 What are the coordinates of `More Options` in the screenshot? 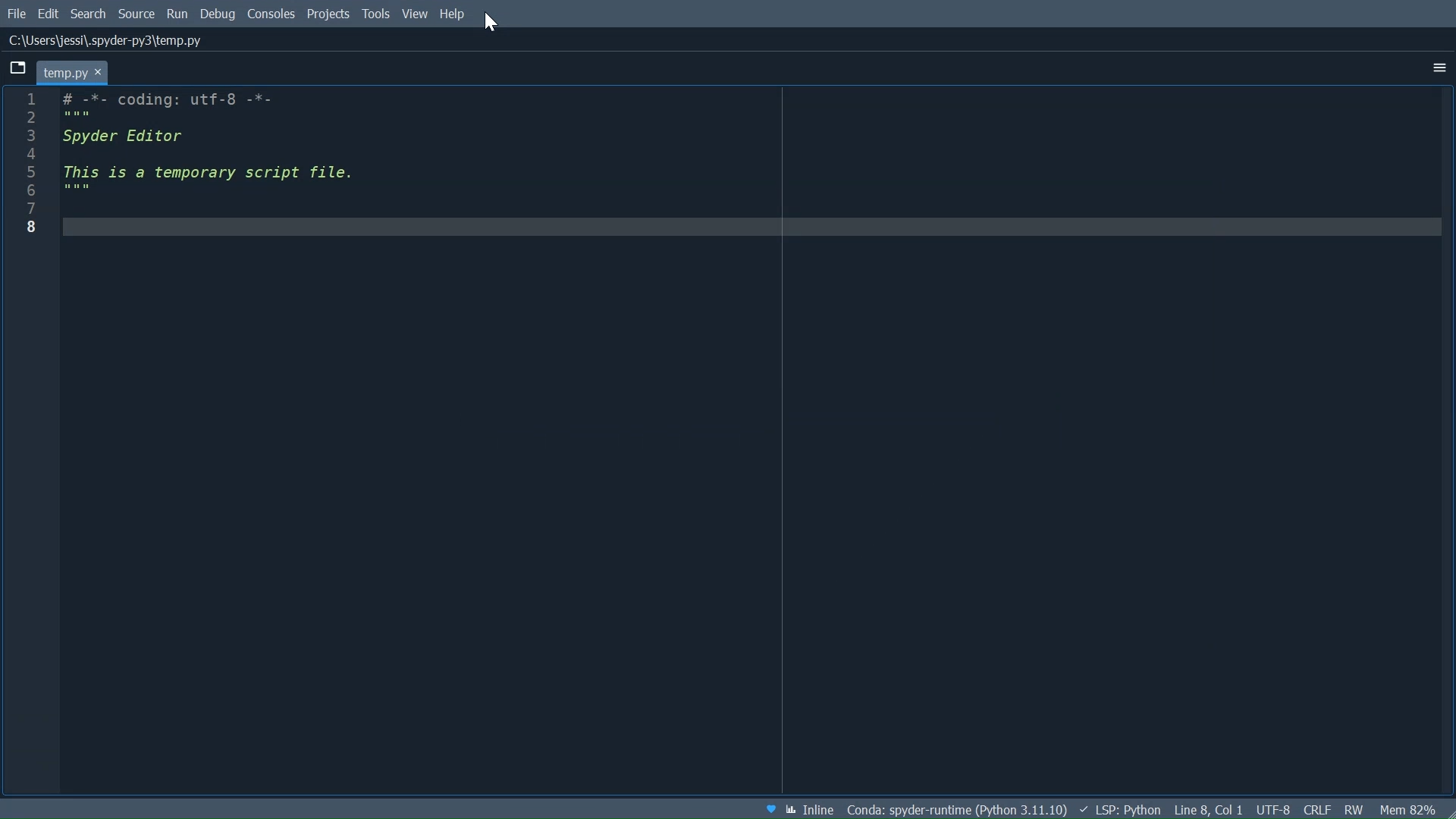 It's located at (1437, 68).